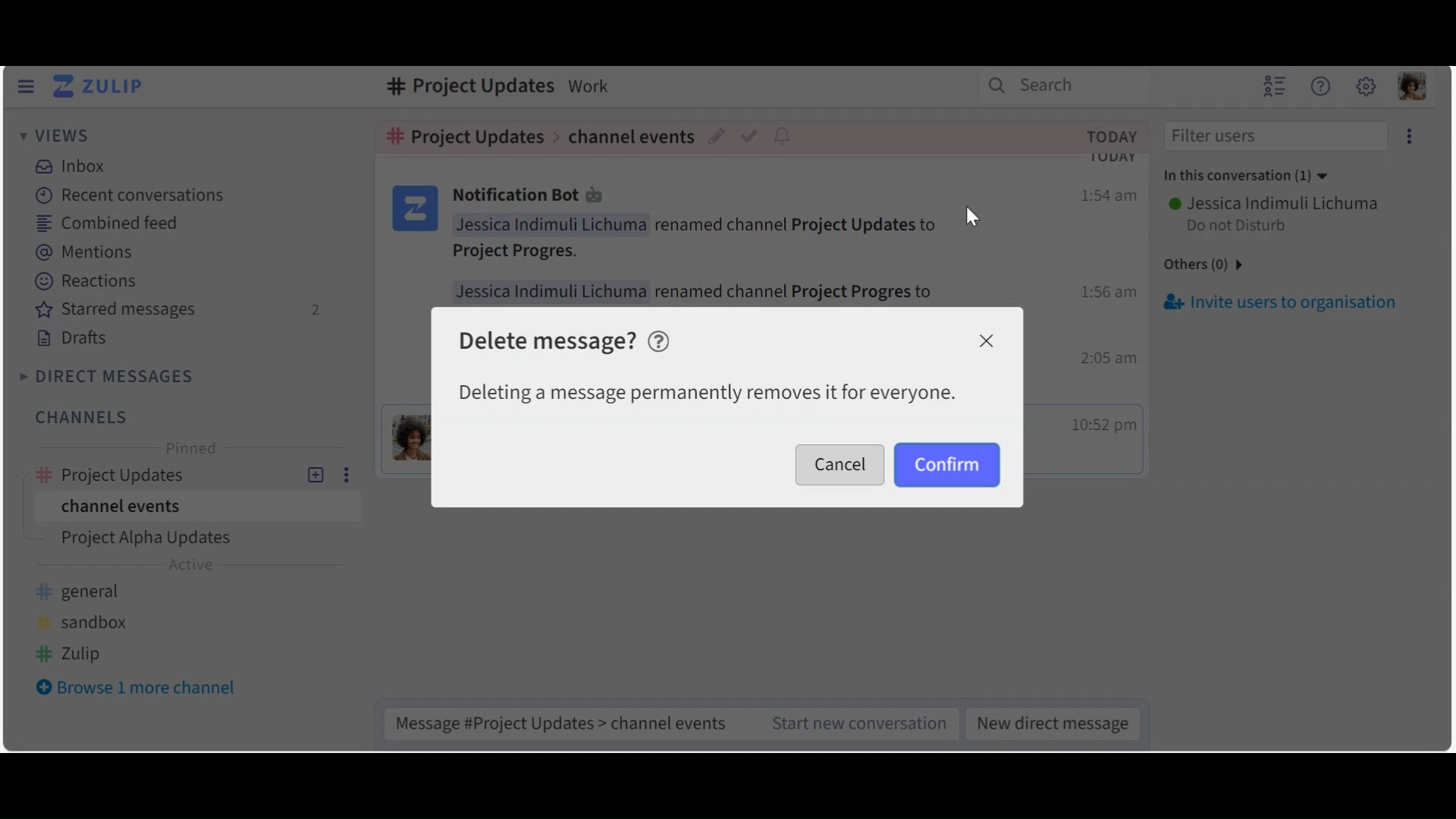 Image resolution: width=1456 pixels, height=819 pixels. What do you see at coordinates (106, 224) in the screenshot?
I see `Combined feed` at bounding box center [106, 224].